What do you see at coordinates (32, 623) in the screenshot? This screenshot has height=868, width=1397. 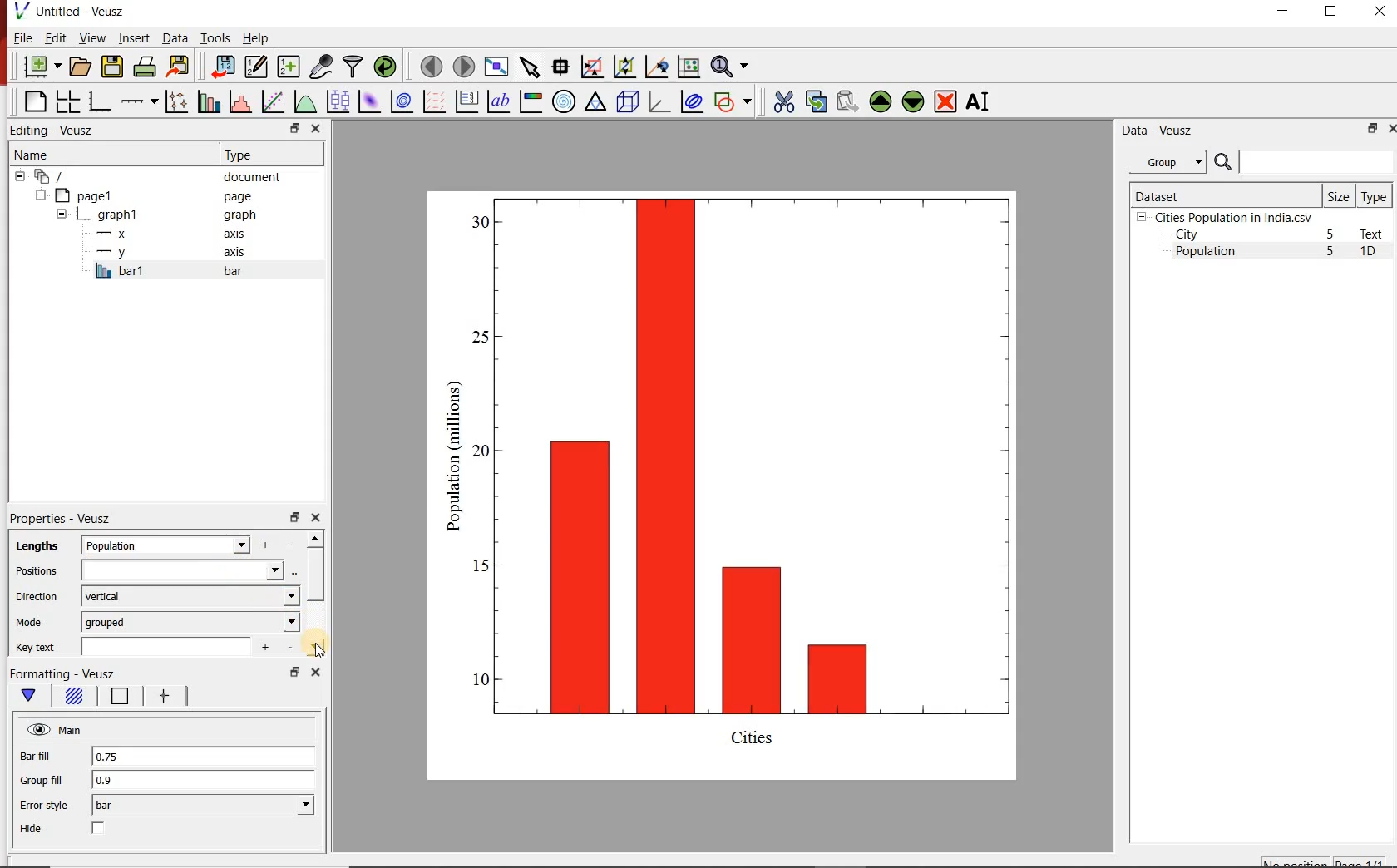 I see `Mode` at bounding box center [32, 623].